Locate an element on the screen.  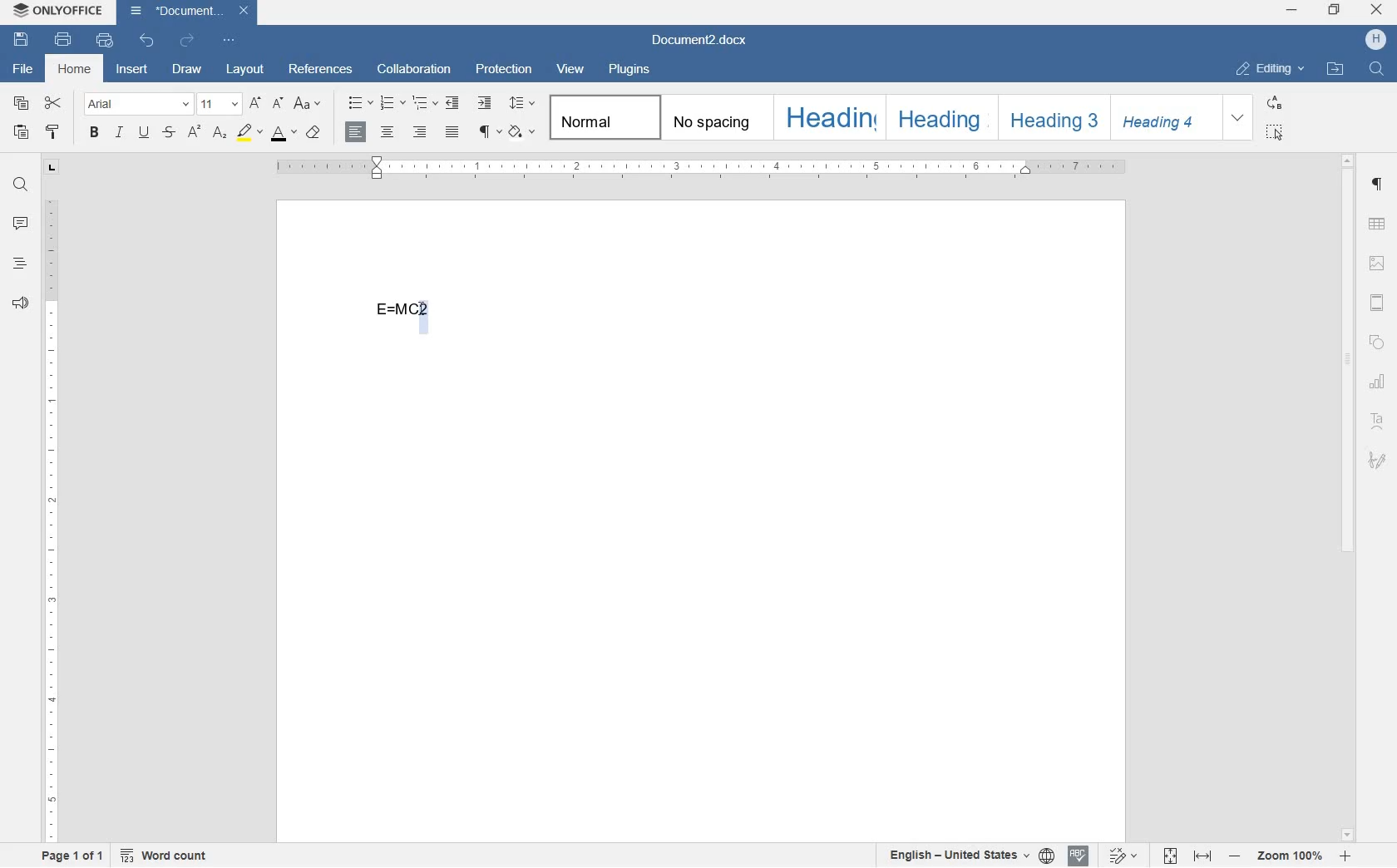
font size is located at coordinates (220, 104).